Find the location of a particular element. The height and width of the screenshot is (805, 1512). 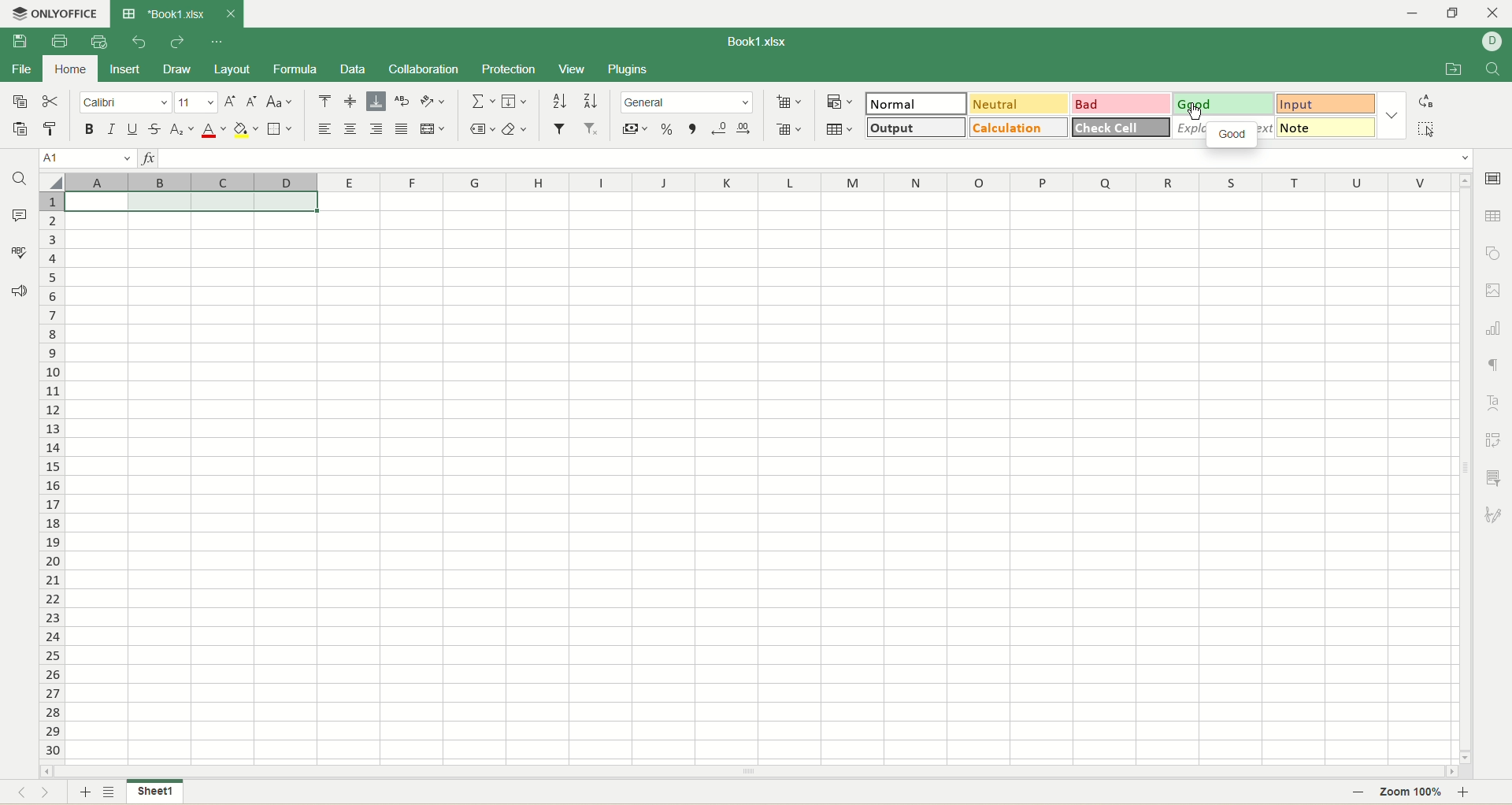

remove cell is located at coordinates (788, 128).